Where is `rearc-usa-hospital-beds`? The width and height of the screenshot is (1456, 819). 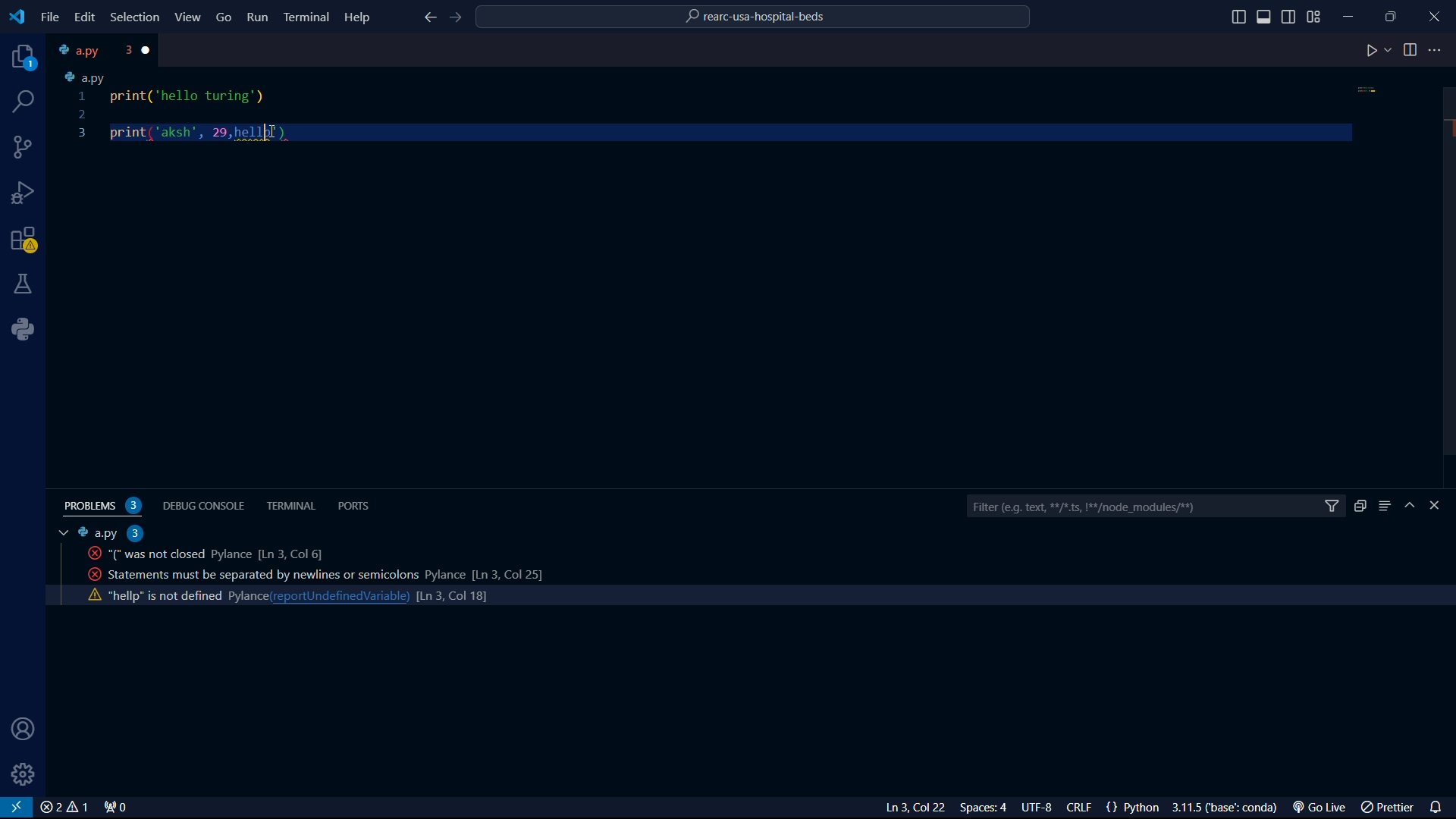 rearc-usa-hospital-beds is located at coordinates (755, 19).